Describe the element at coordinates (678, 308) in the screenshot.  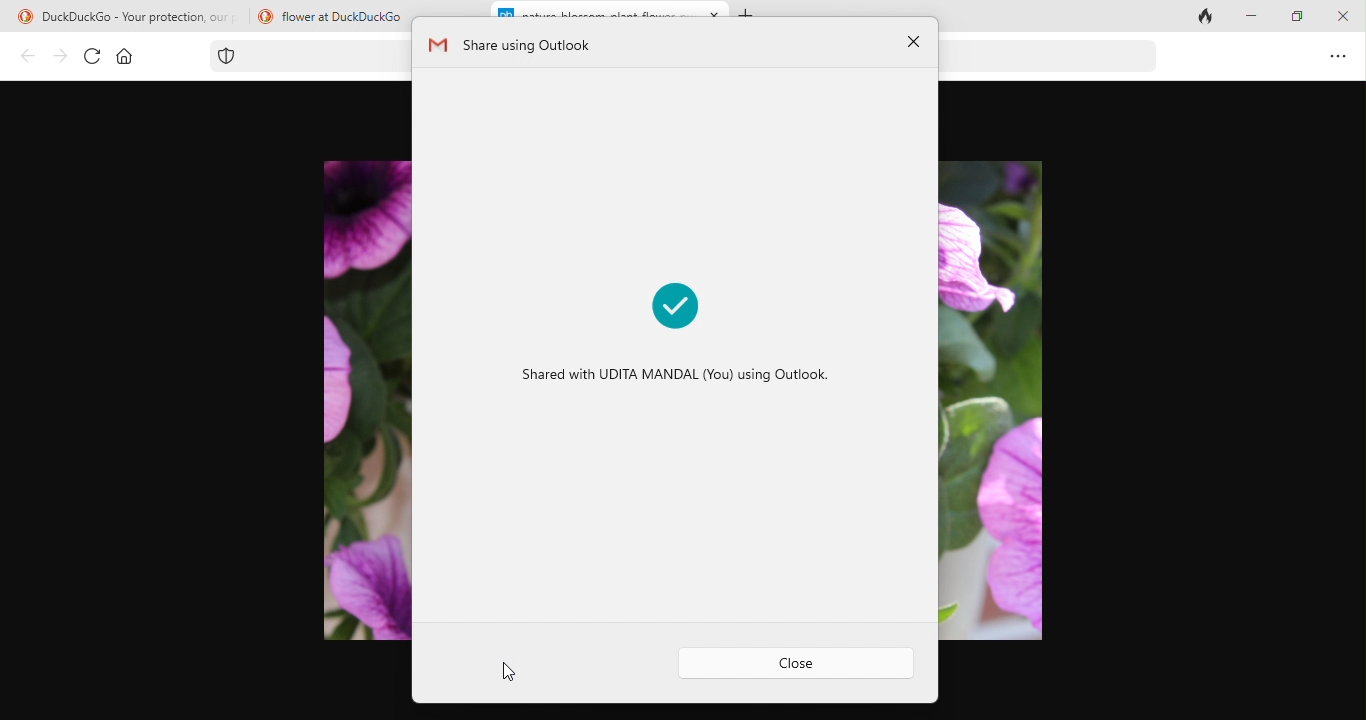
I see `shared marked` at that location.